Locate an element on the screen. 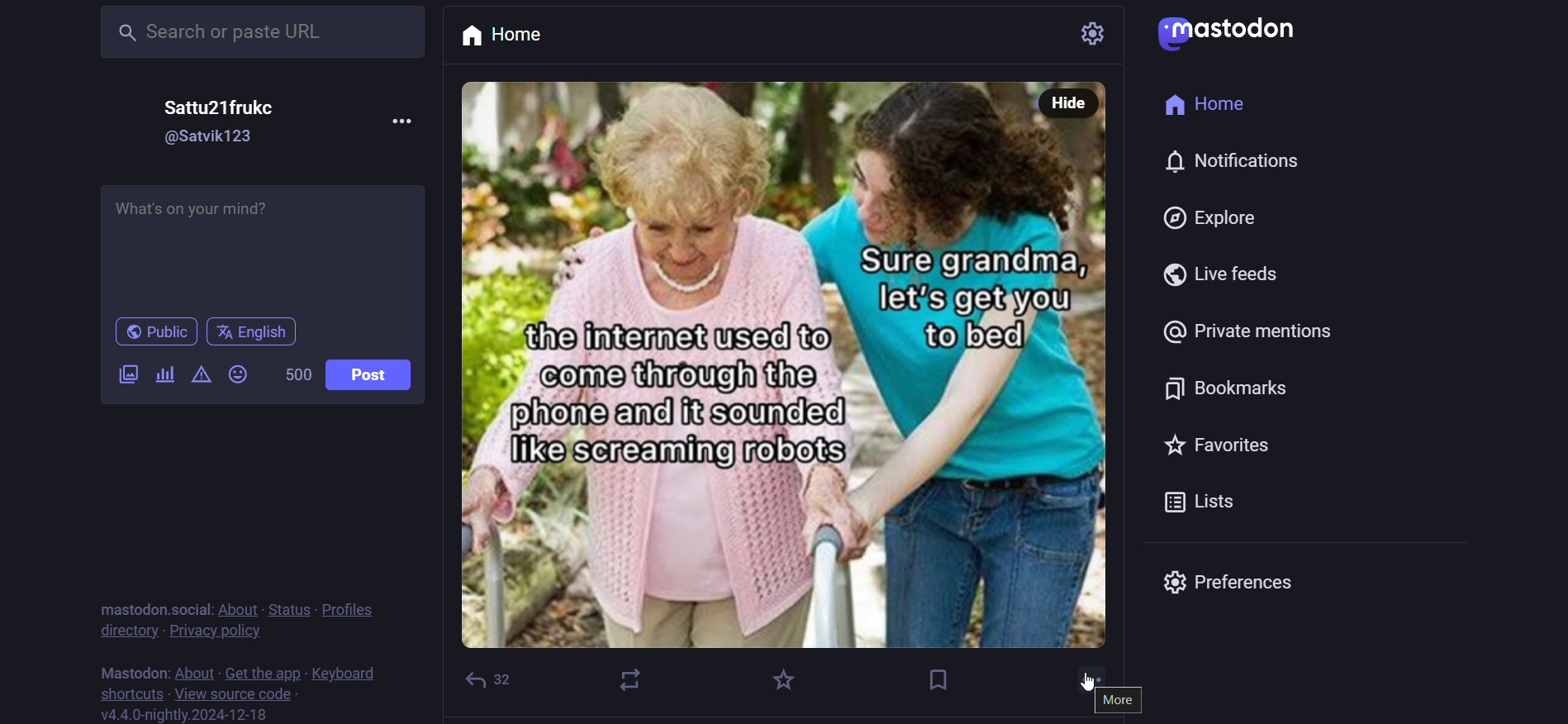 This screenshot has height=724, width=1568. explore is located at coordinates (1200, 217).